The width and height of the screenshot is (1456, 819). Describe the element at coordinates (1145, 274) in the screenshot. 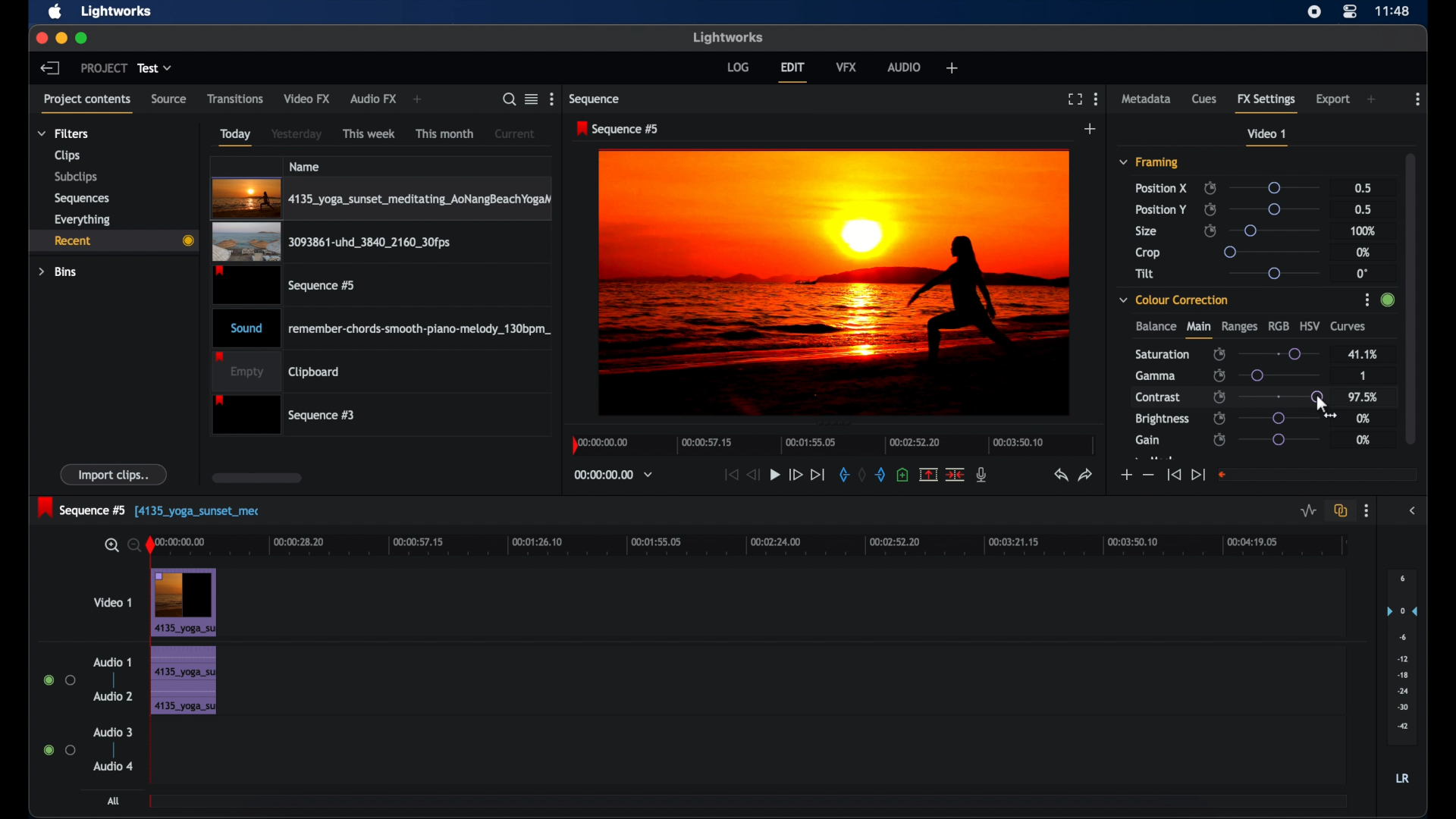

I see `tilt` at that location.